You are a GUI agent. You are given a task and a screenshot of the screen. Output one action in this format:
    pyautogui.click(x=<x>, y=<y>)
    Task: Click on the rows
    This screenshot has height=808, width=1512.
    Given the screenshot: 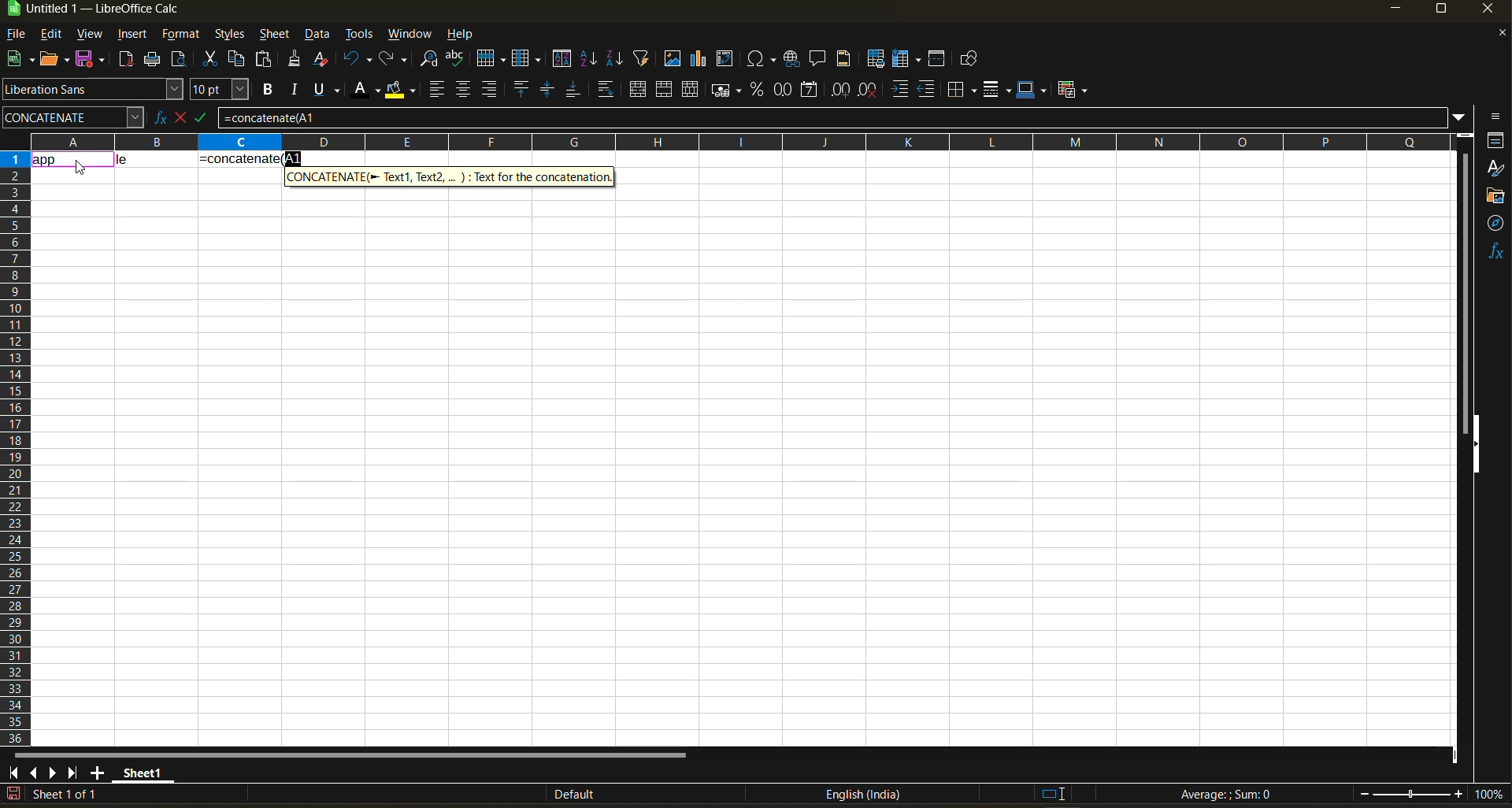 What is the action you would take?
    pyautogui.click(x=734, y=141)
    